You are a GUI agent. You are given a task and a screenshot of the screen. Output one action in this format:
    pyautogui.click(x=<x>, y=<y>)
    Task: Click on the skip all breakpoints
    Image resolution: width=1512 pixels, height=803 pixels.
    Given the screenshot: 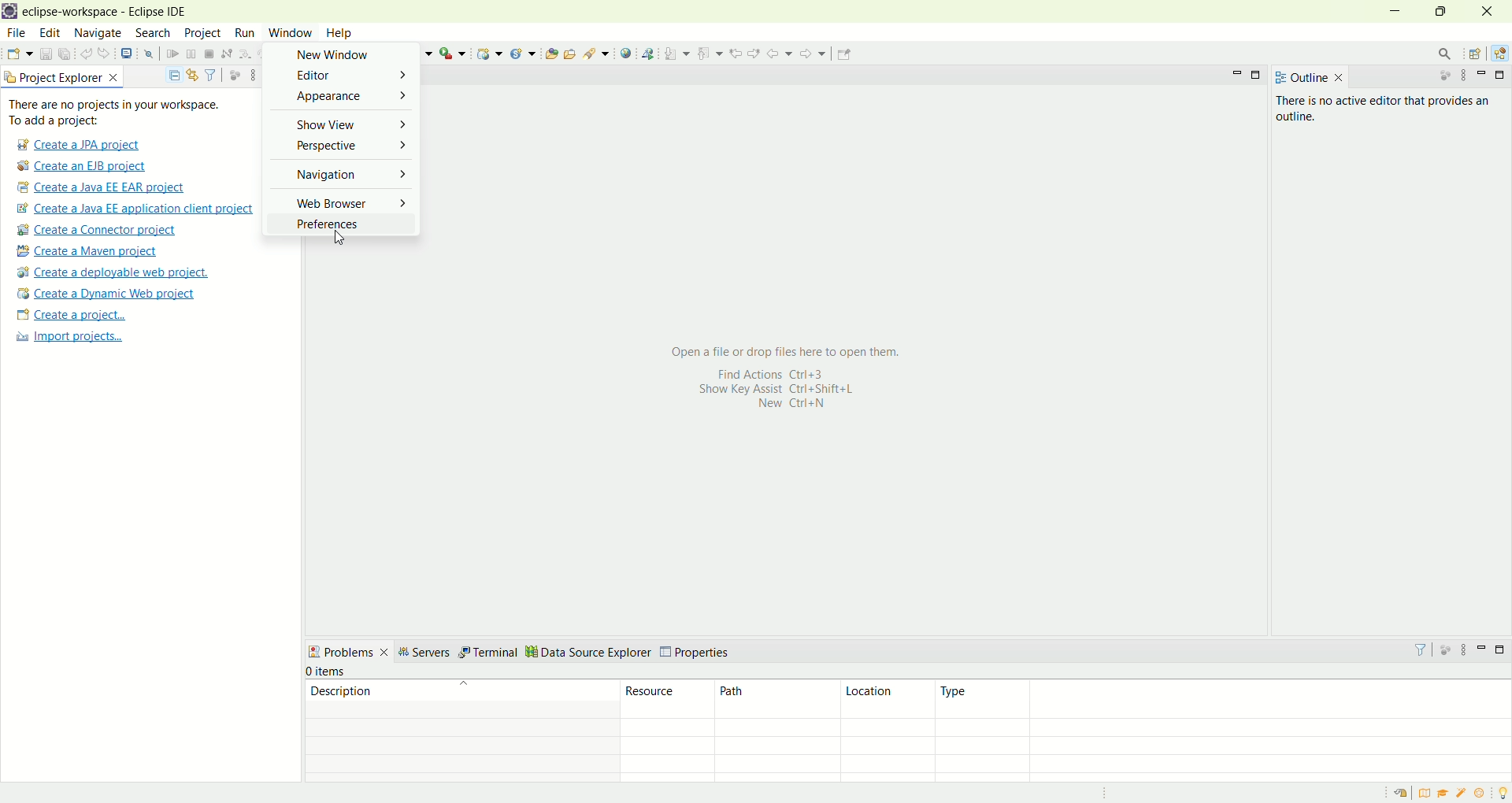 What is the action you would take?
    pyautogui.click(x=151, y=54)
    